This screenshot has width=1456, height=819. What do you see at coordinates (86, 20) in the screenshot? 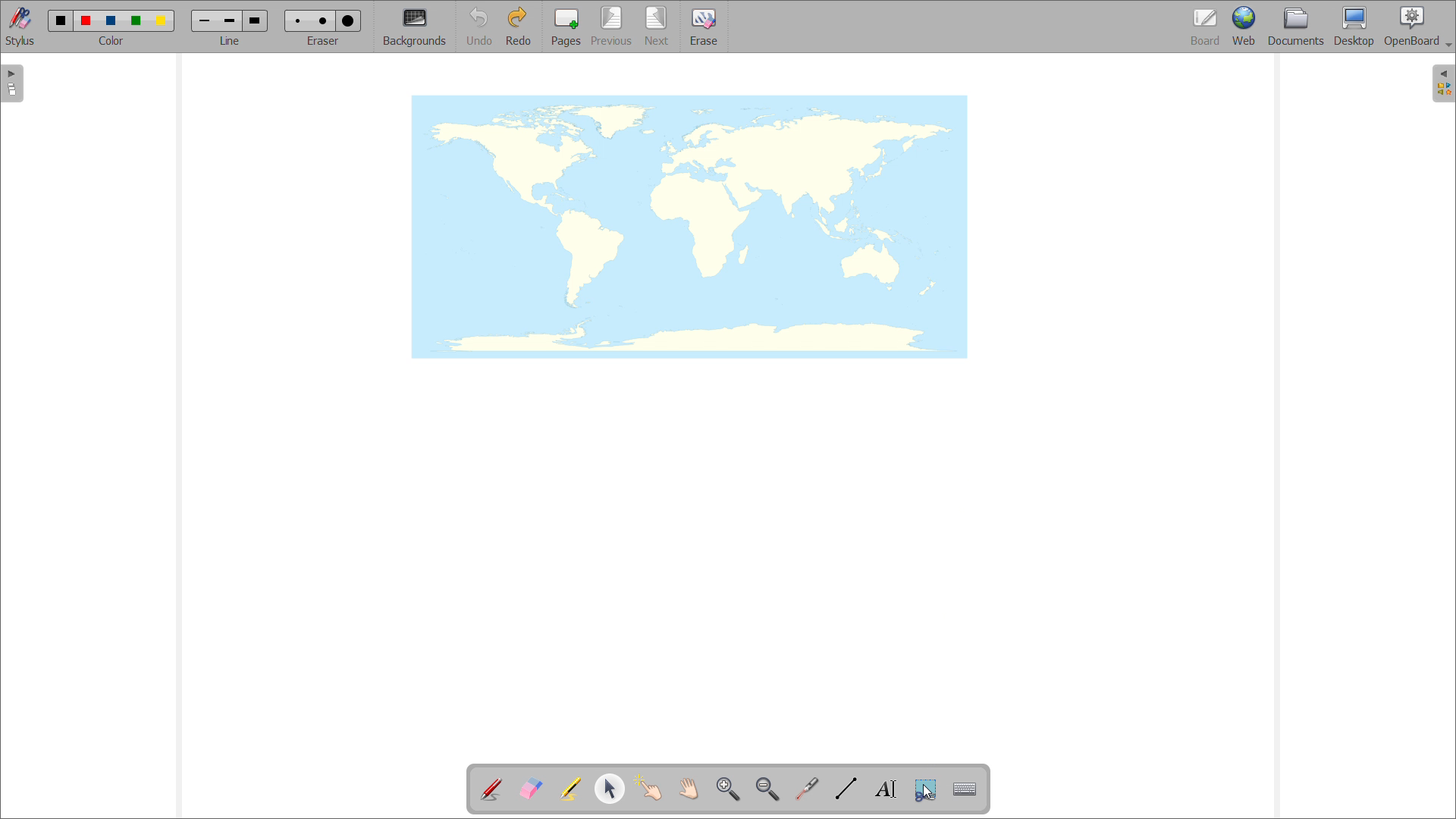
I see `red` at bounding box center [86, 20].